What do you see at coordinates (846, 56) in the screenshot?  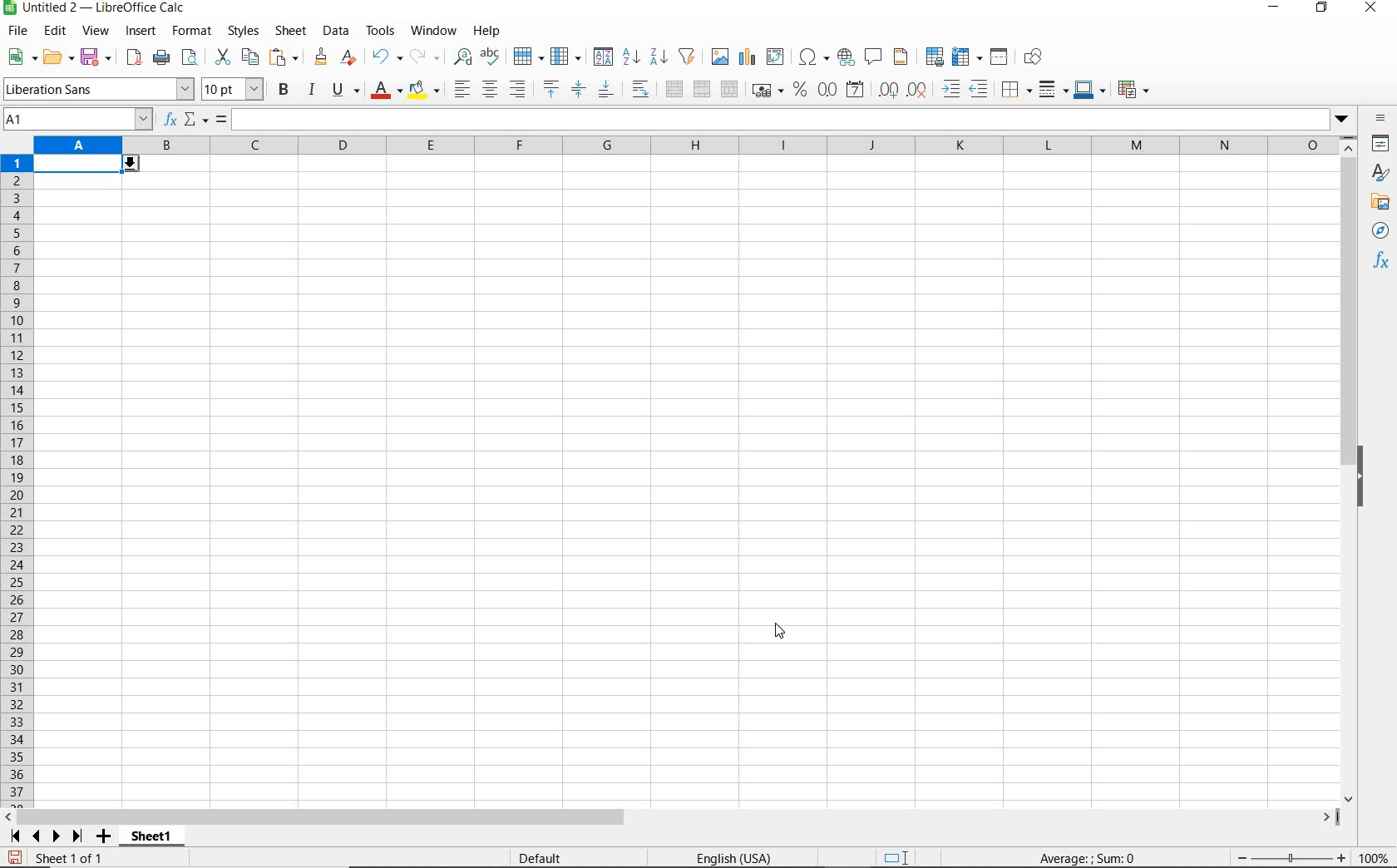 I see `insert hyperlink` at bounding box center [846, 56].